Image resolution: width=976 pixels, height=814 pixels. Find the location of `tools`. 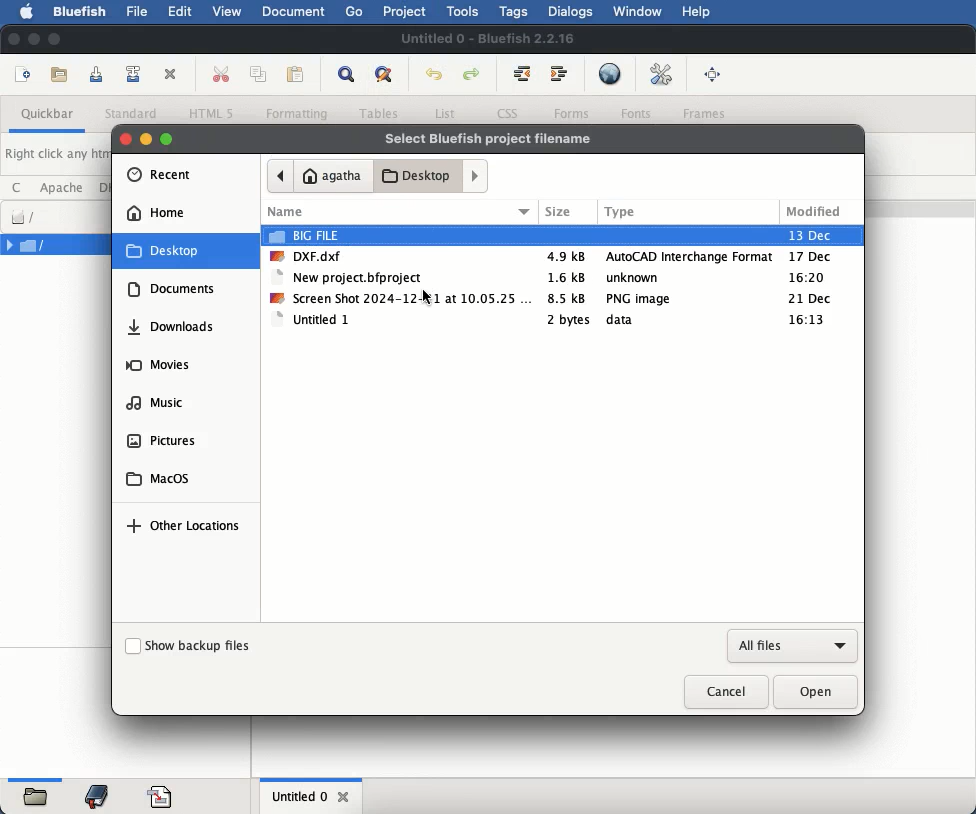

tools is located at coordinates (465, 11).